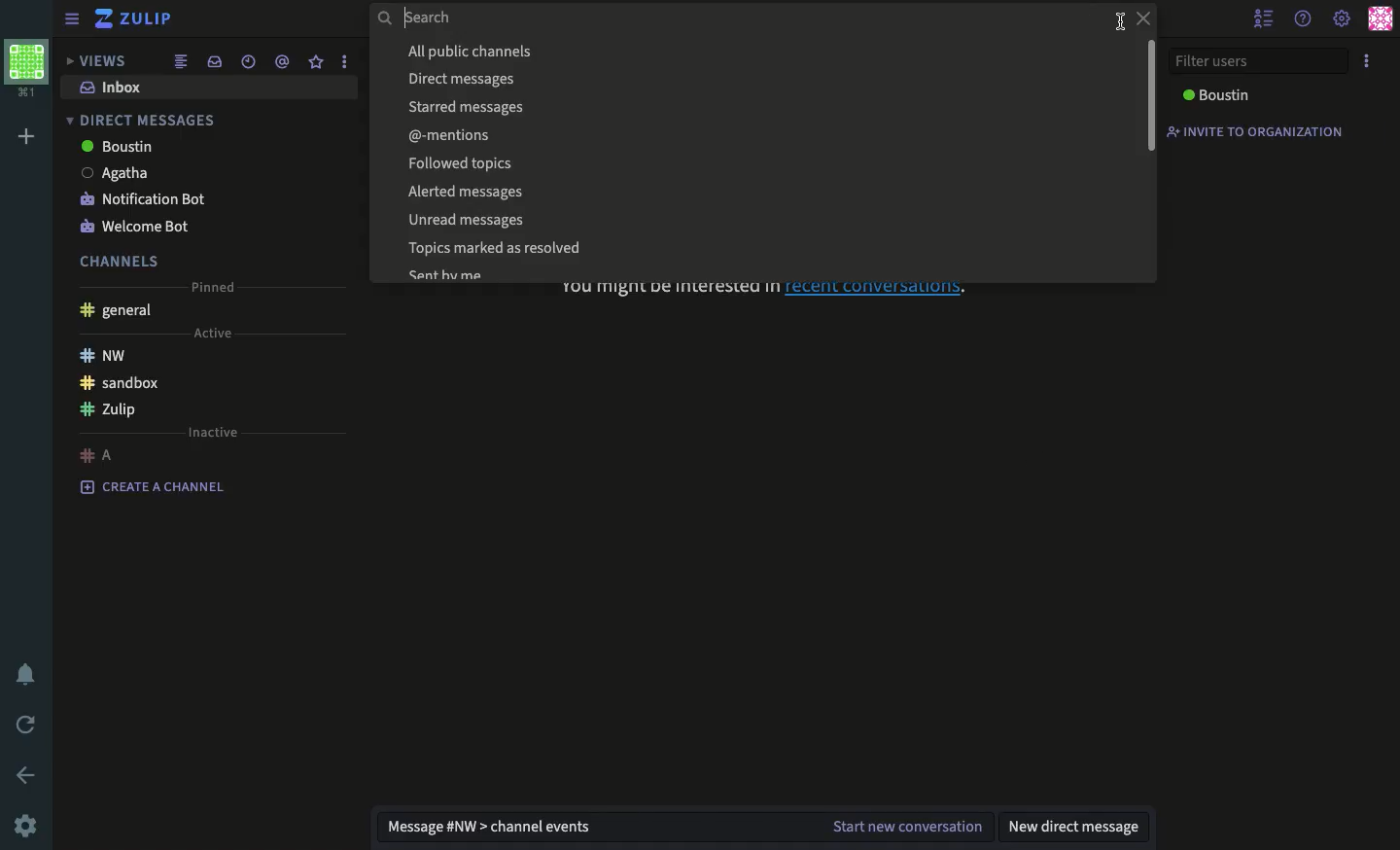 This screenshot has width=1400, height=850. What do you see at coordinates (497, 827) in the screenshot?
I see `message nw channel events` at bounding box center [497, 827].